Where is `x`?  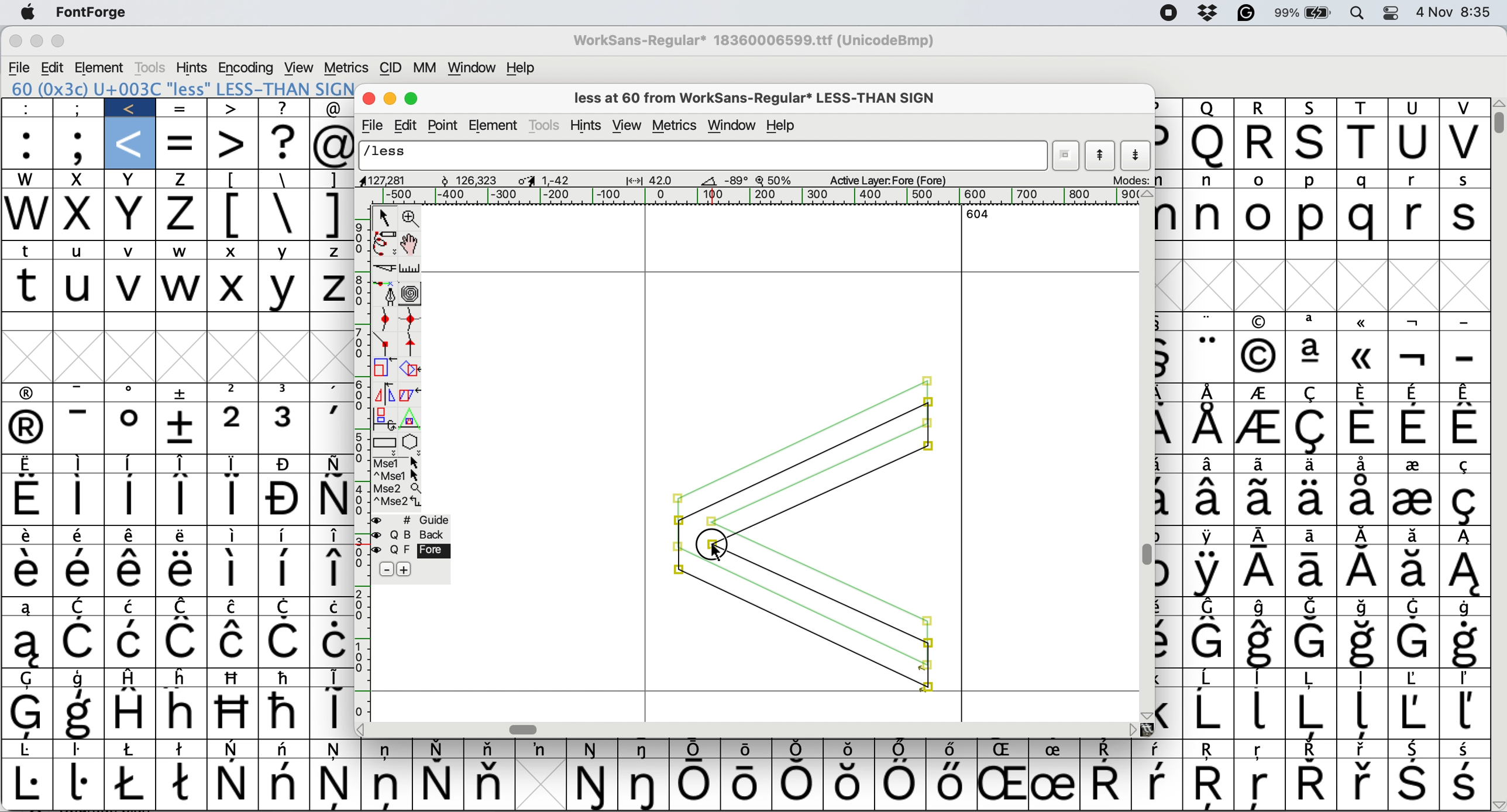 x is located at coordinates (133, 215).